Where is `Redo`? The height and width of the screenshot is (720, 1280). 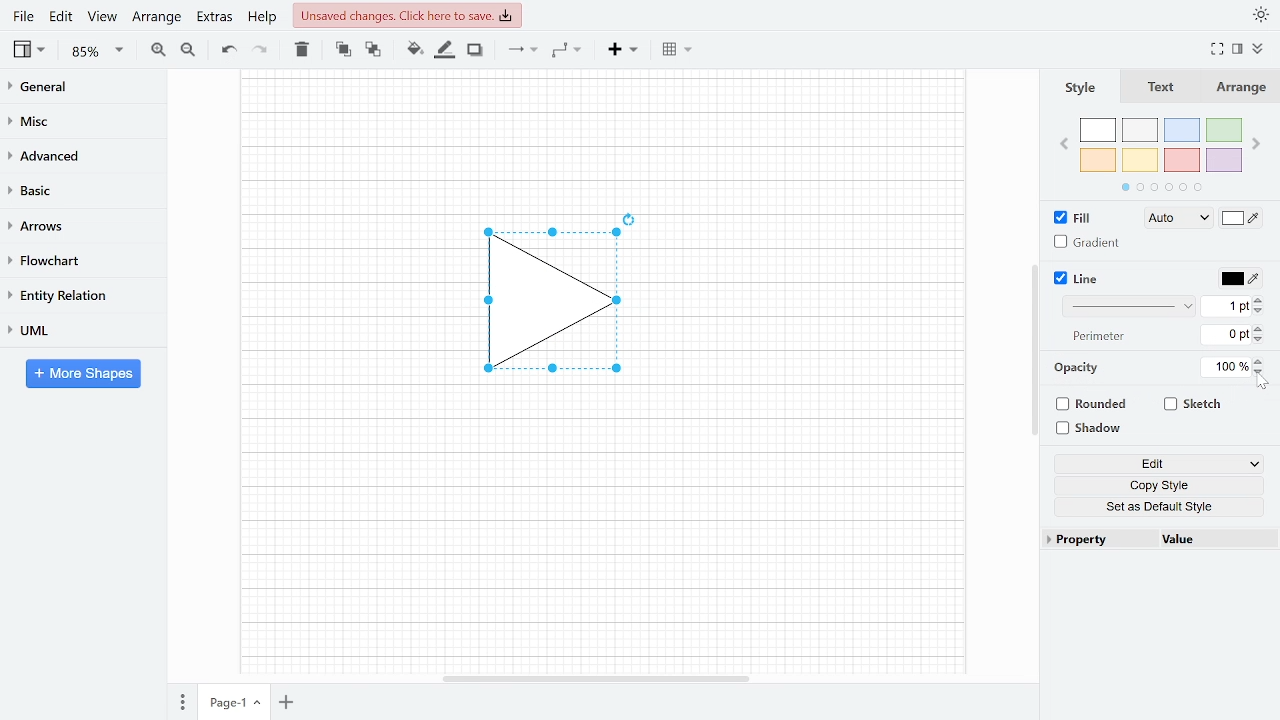 Redo is located at coordinates (258, 48).